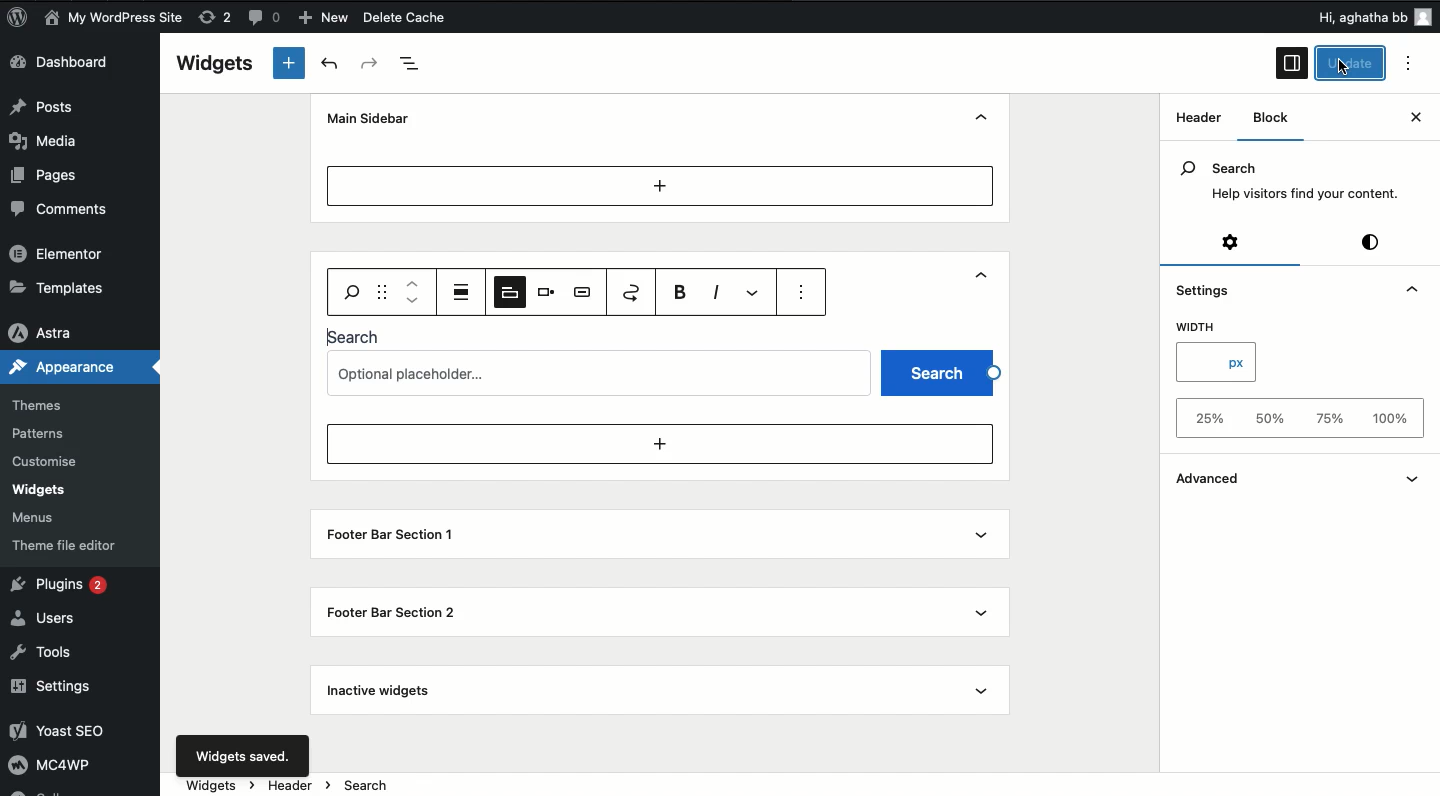 Image resolution: width=1440 pixels, height=796 pixels. Describe the element at coordinates (602, 371) in the screenshot. I see `optional placeholder` at that location.